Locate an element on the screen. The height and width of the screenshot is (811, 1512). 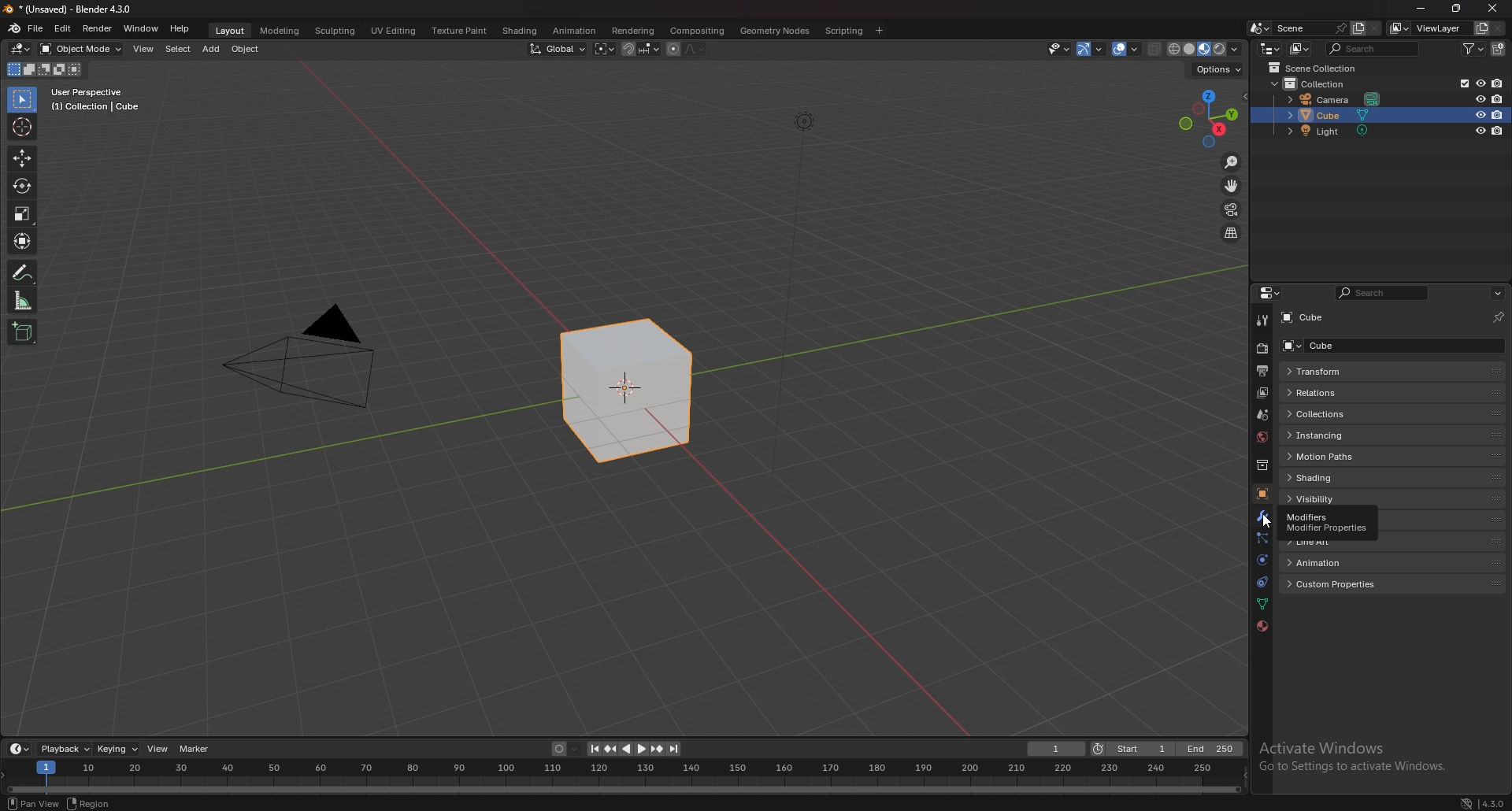
viewport display is located at coordinates (1339, 522).